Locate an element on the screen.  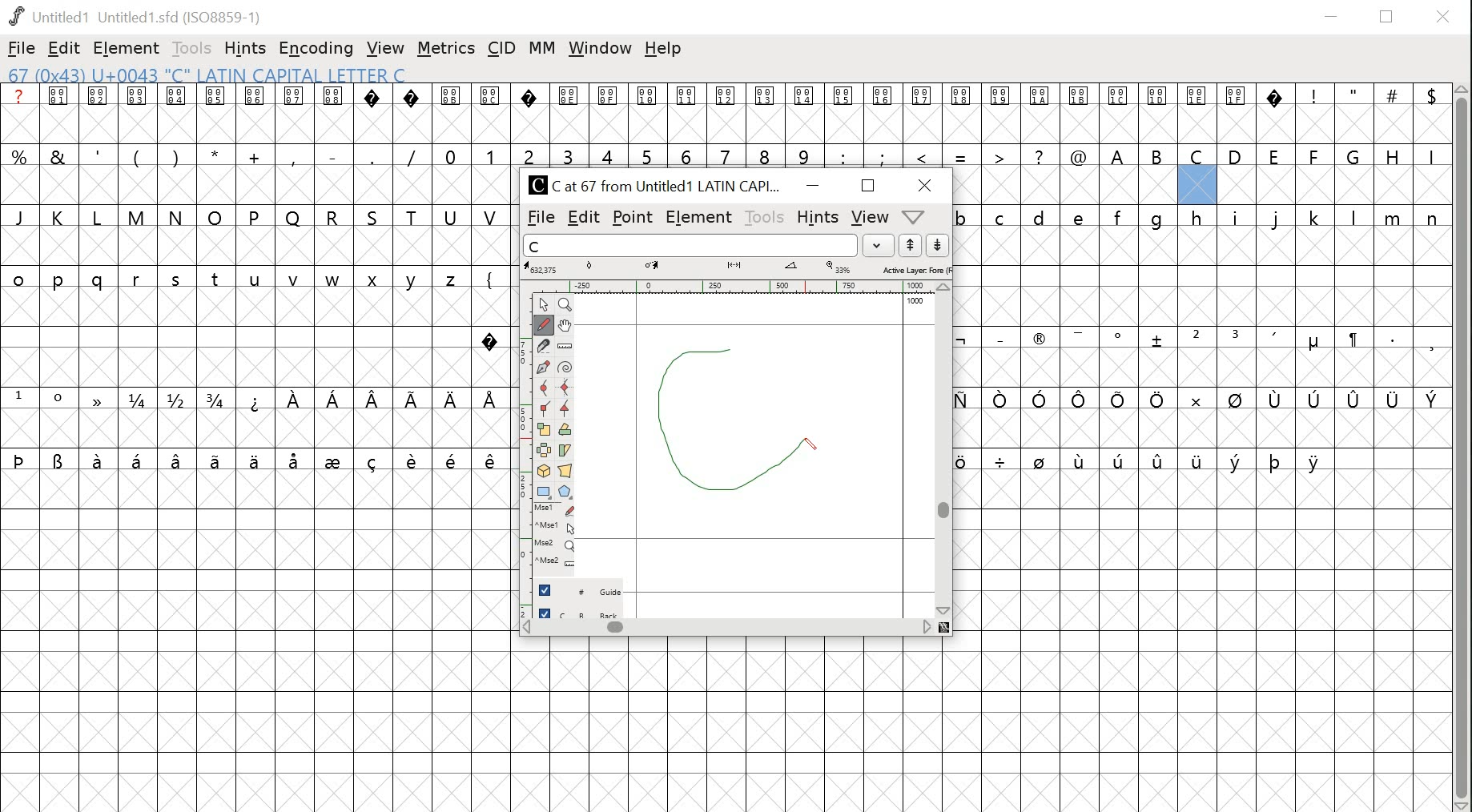
skew is located at coordinates (568, 450).